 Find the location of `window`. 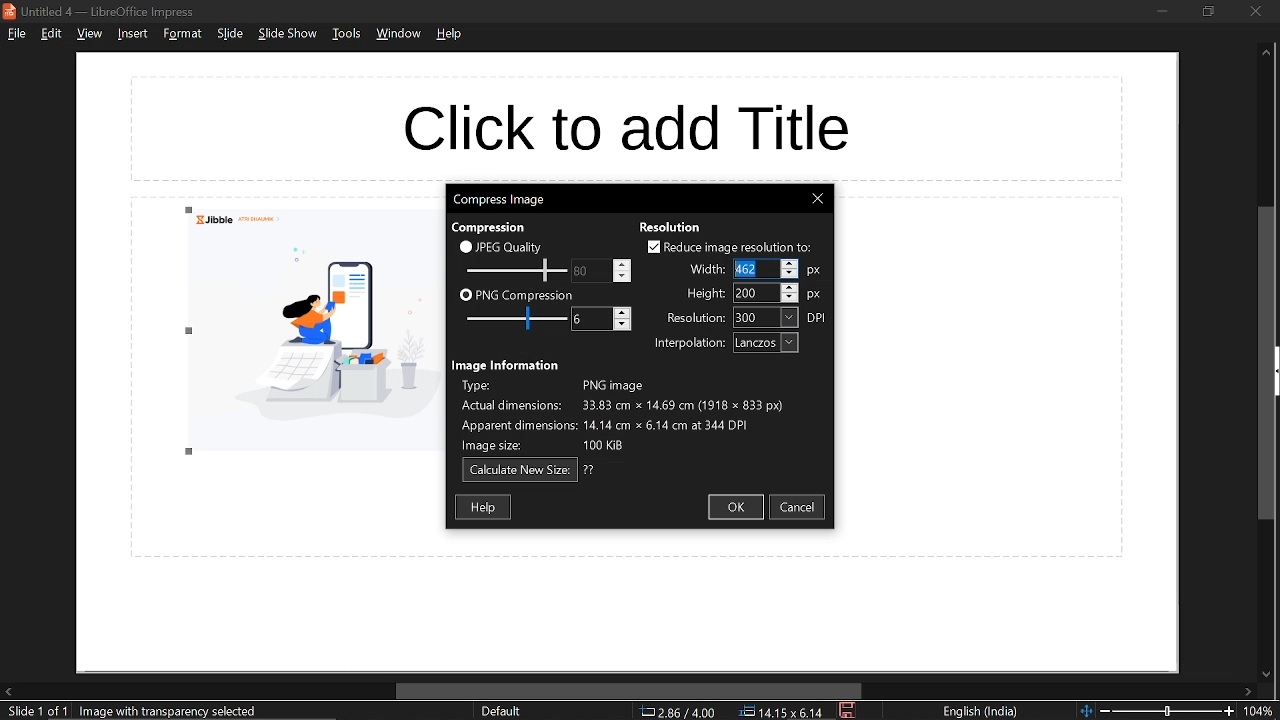

window is located at coordinates (401, 34).